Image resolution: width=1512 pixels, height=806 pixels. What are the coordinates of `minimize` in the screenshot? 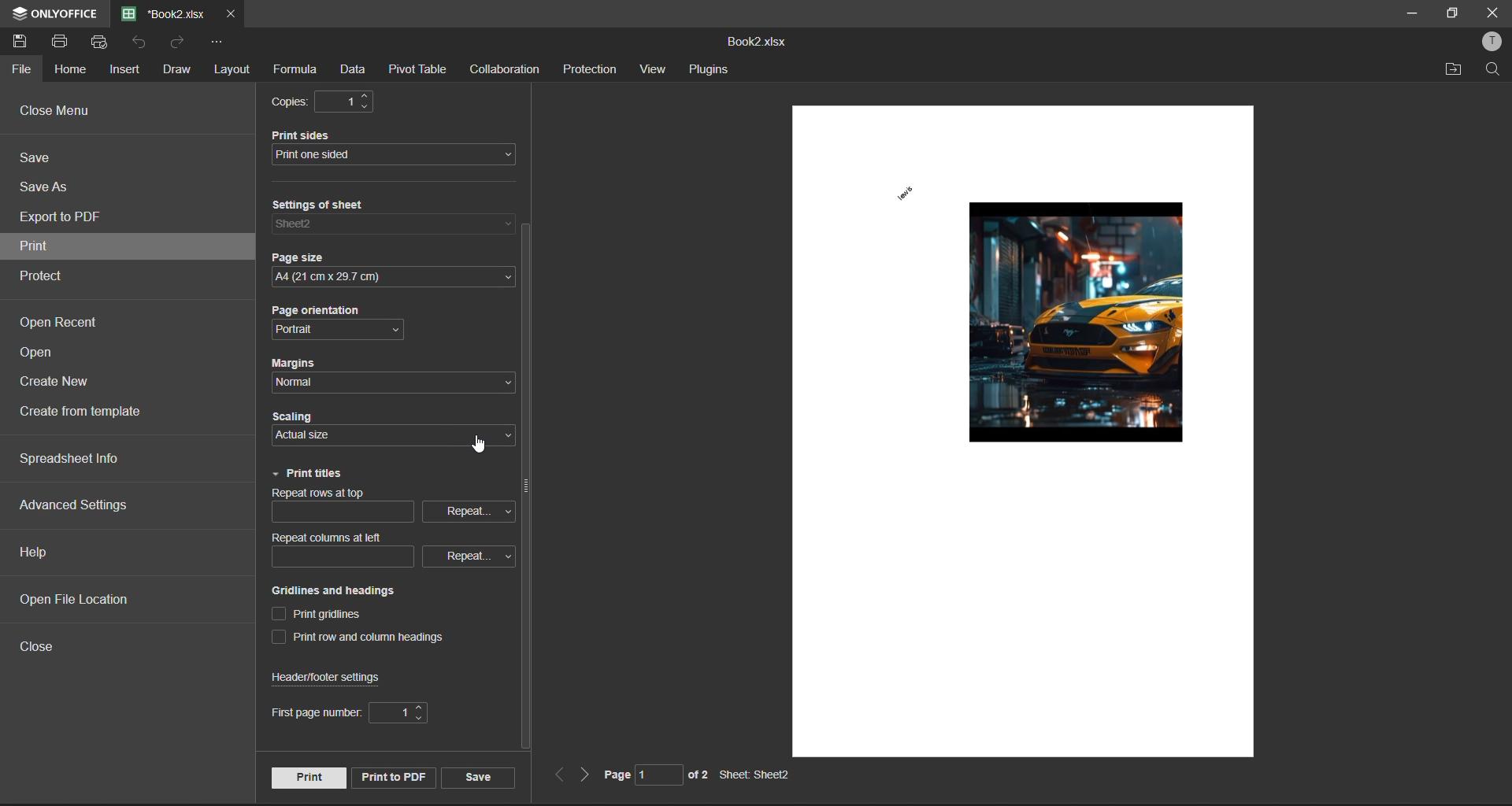 It's located at (1410, 13).